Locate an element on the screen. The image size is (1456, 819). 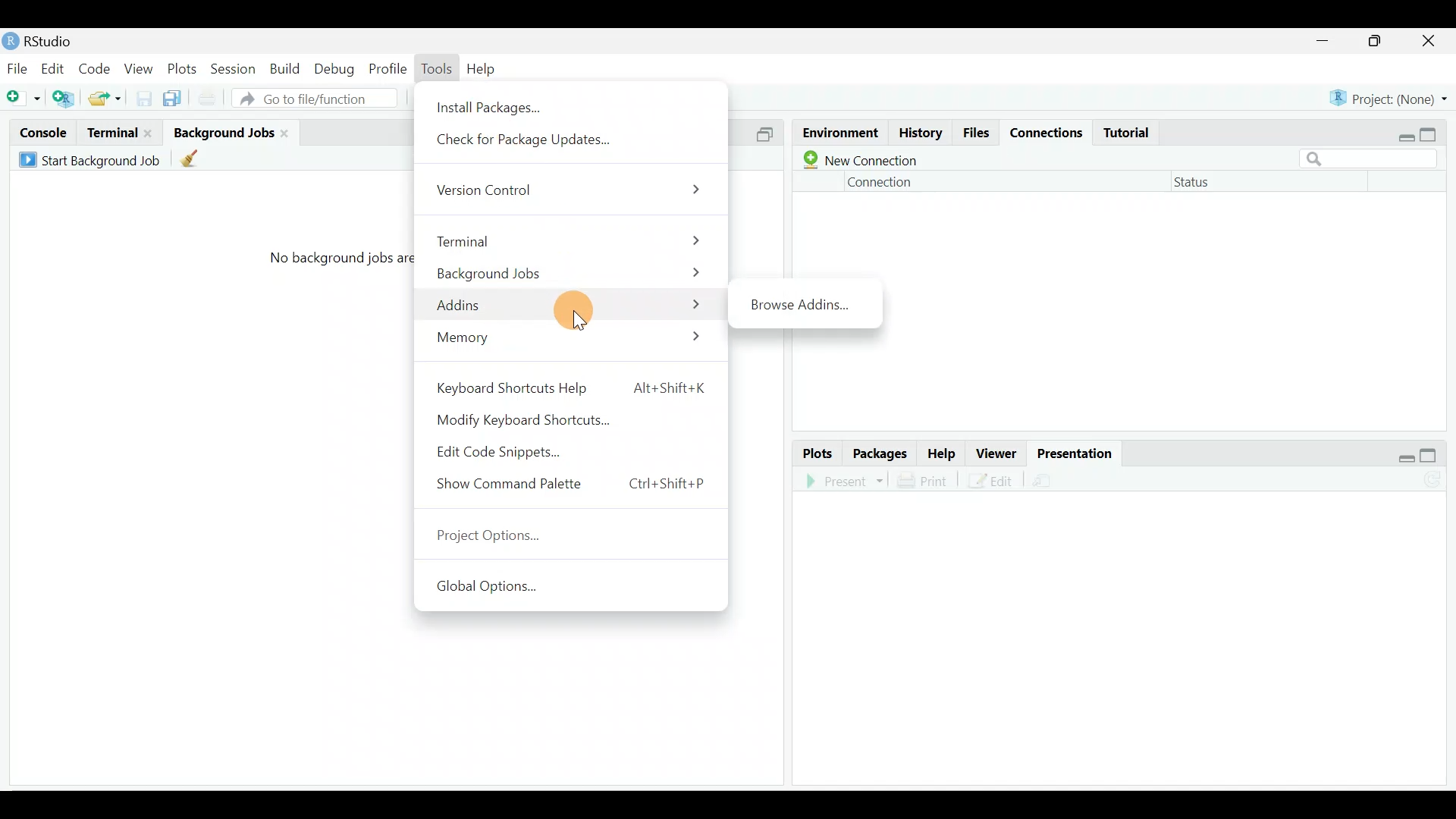
Help is located at coordinates (483, 69).